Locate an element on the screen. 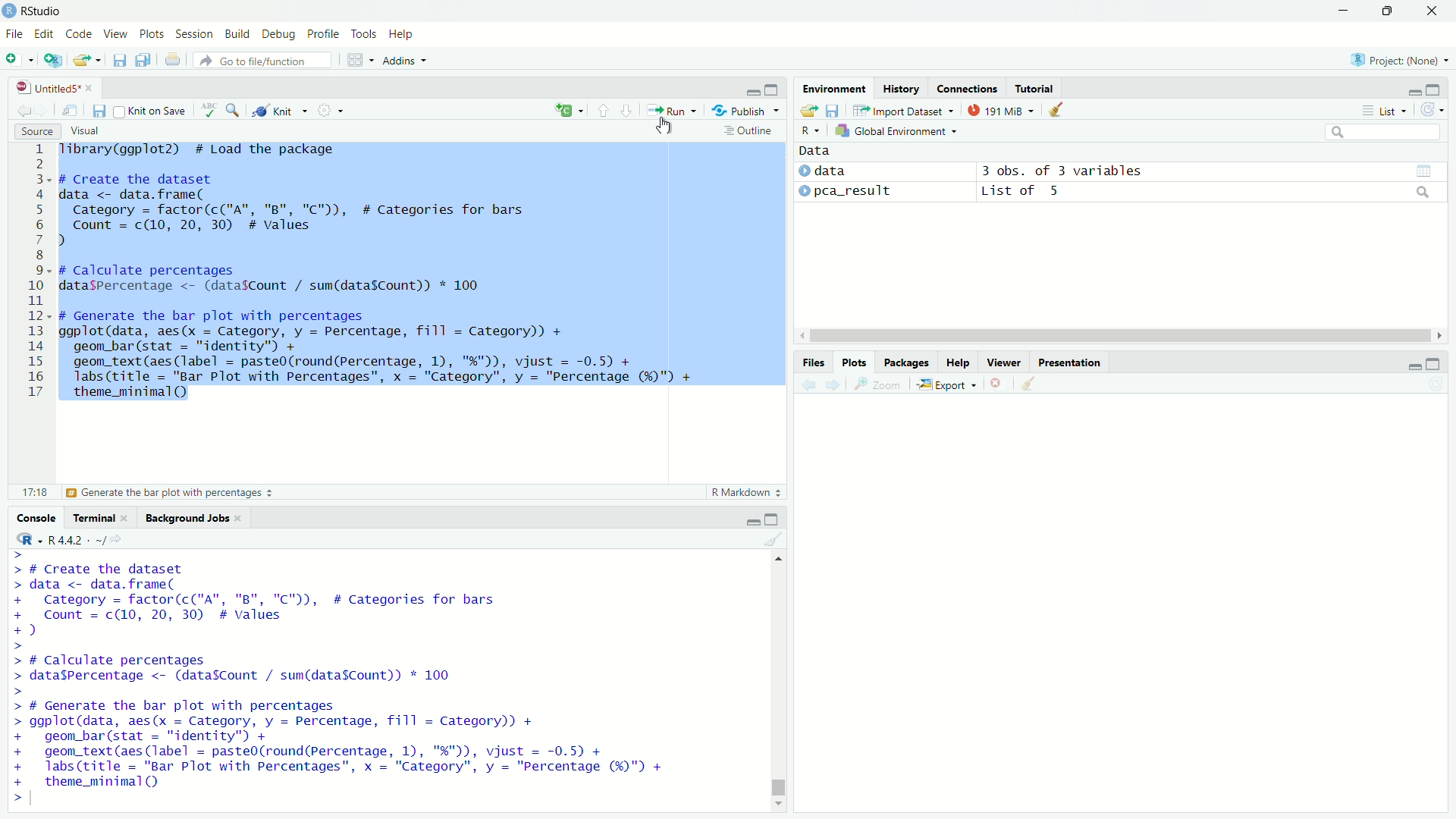 This screenshot has height=819, width=1456. minimize is located at coordinates (753, 518).